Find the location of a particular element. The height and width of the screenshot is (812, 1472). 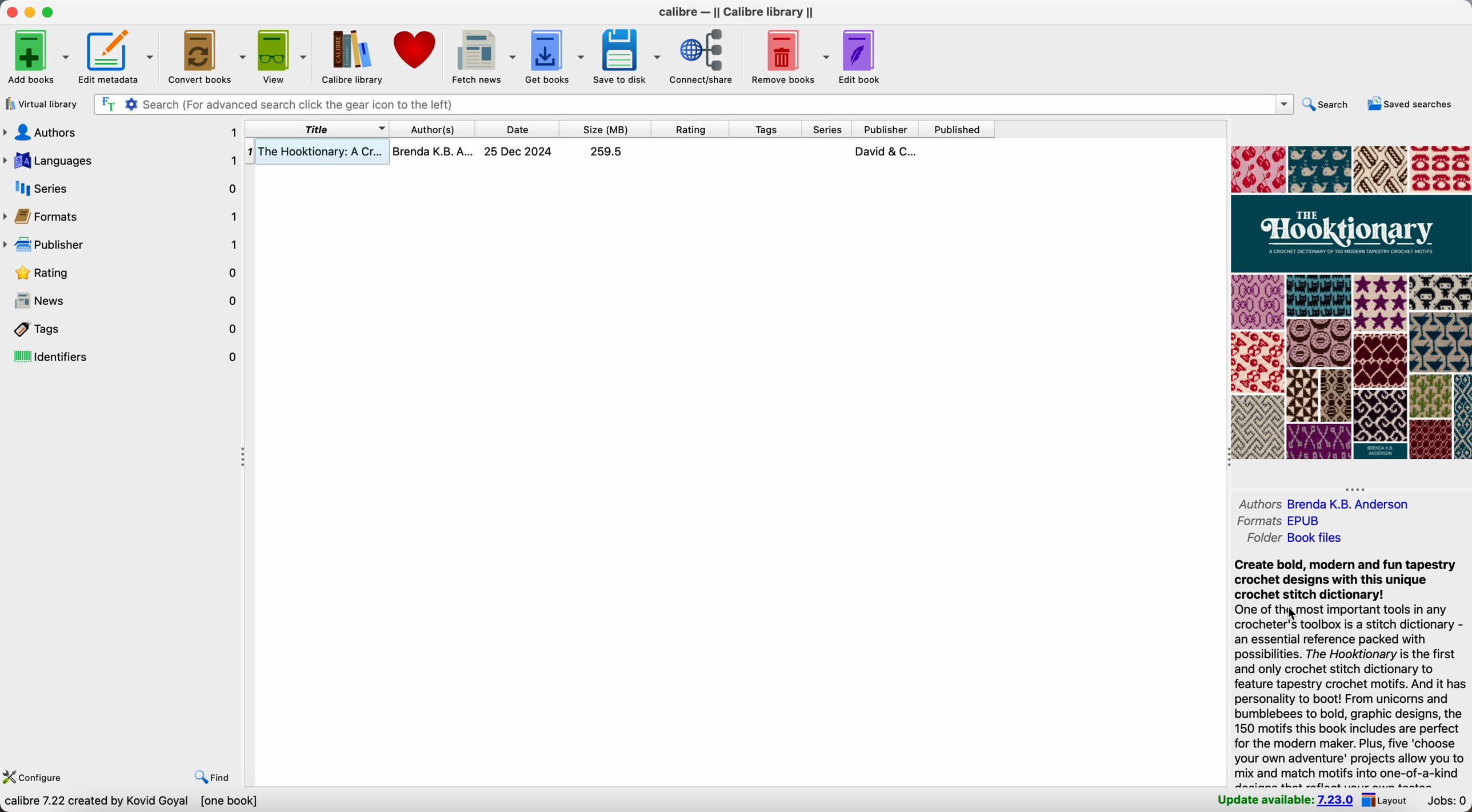

tags is located at coordinates (122, 329).